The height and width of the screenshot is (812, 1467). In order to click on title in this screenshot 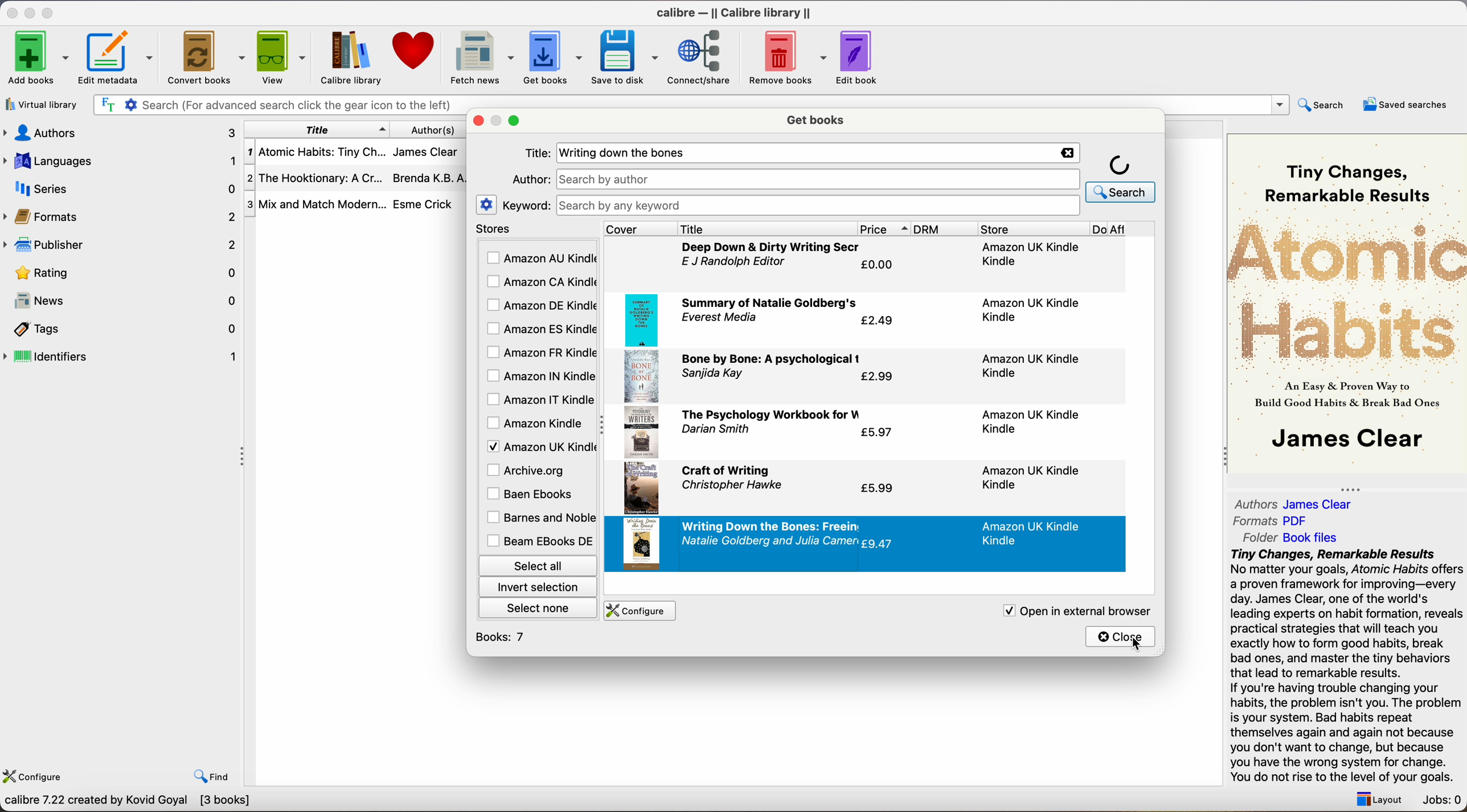, I will do `click(767, 228)`.